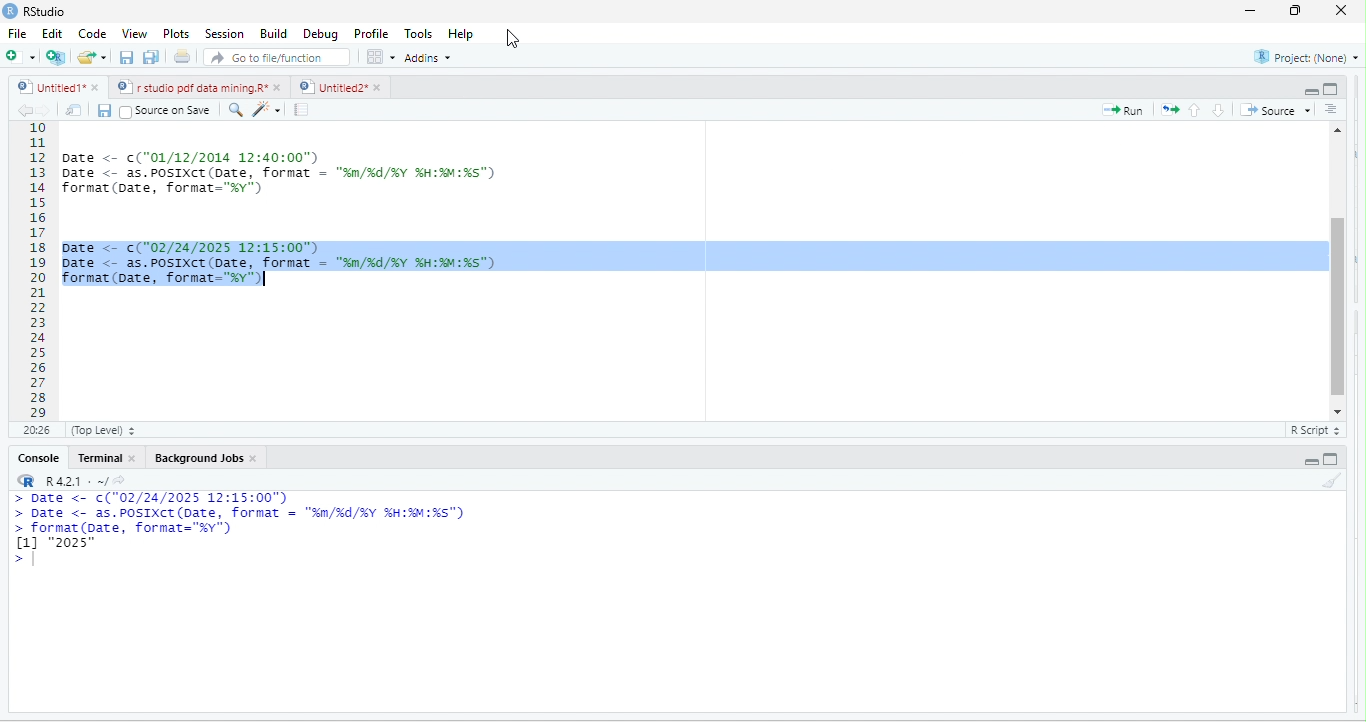  I want to click on find/ replace, so click(232, 110).